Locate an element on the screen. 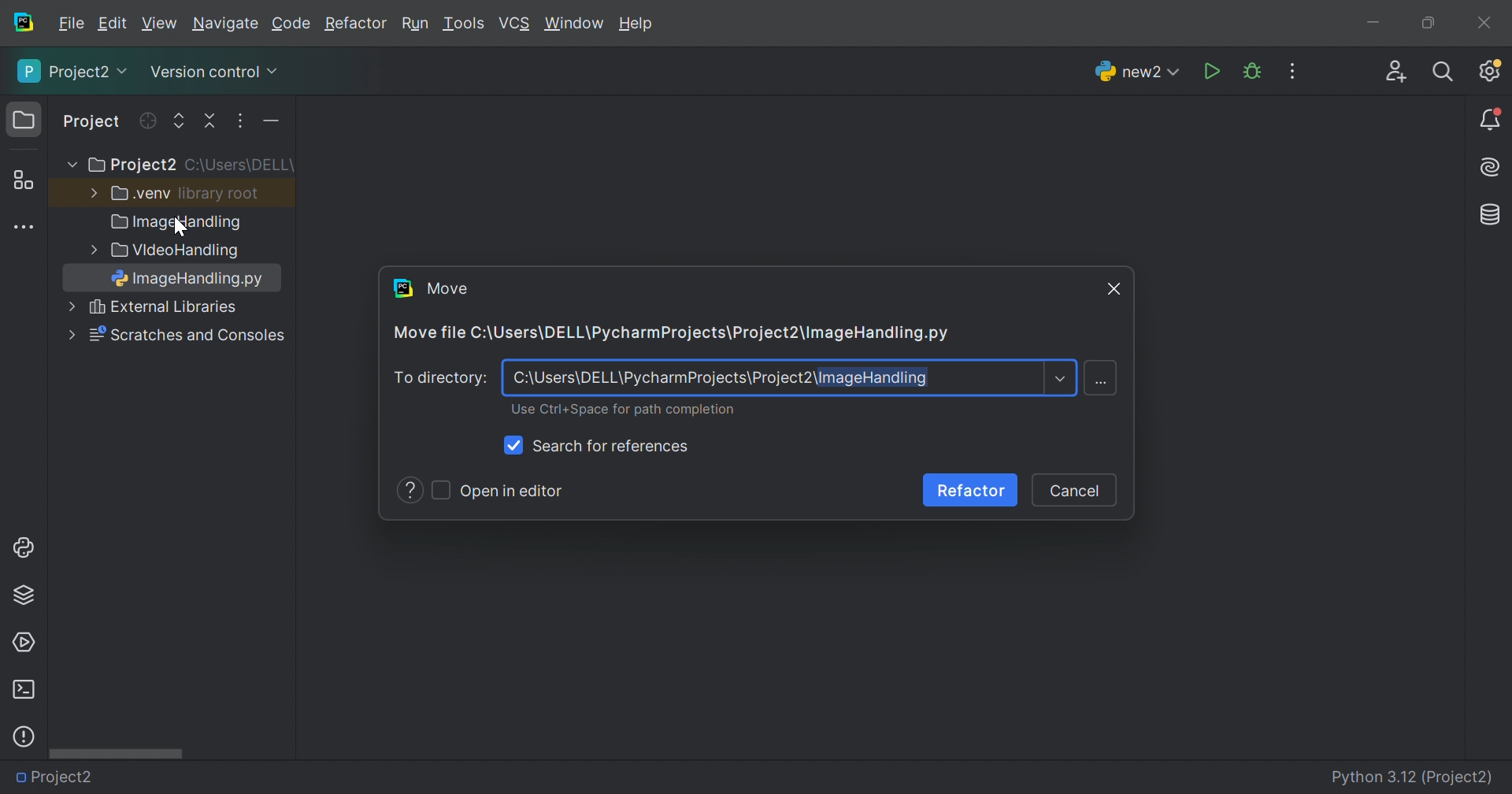 This screenshot has width=1512, height=794. More is located at coordinates (91, 191).